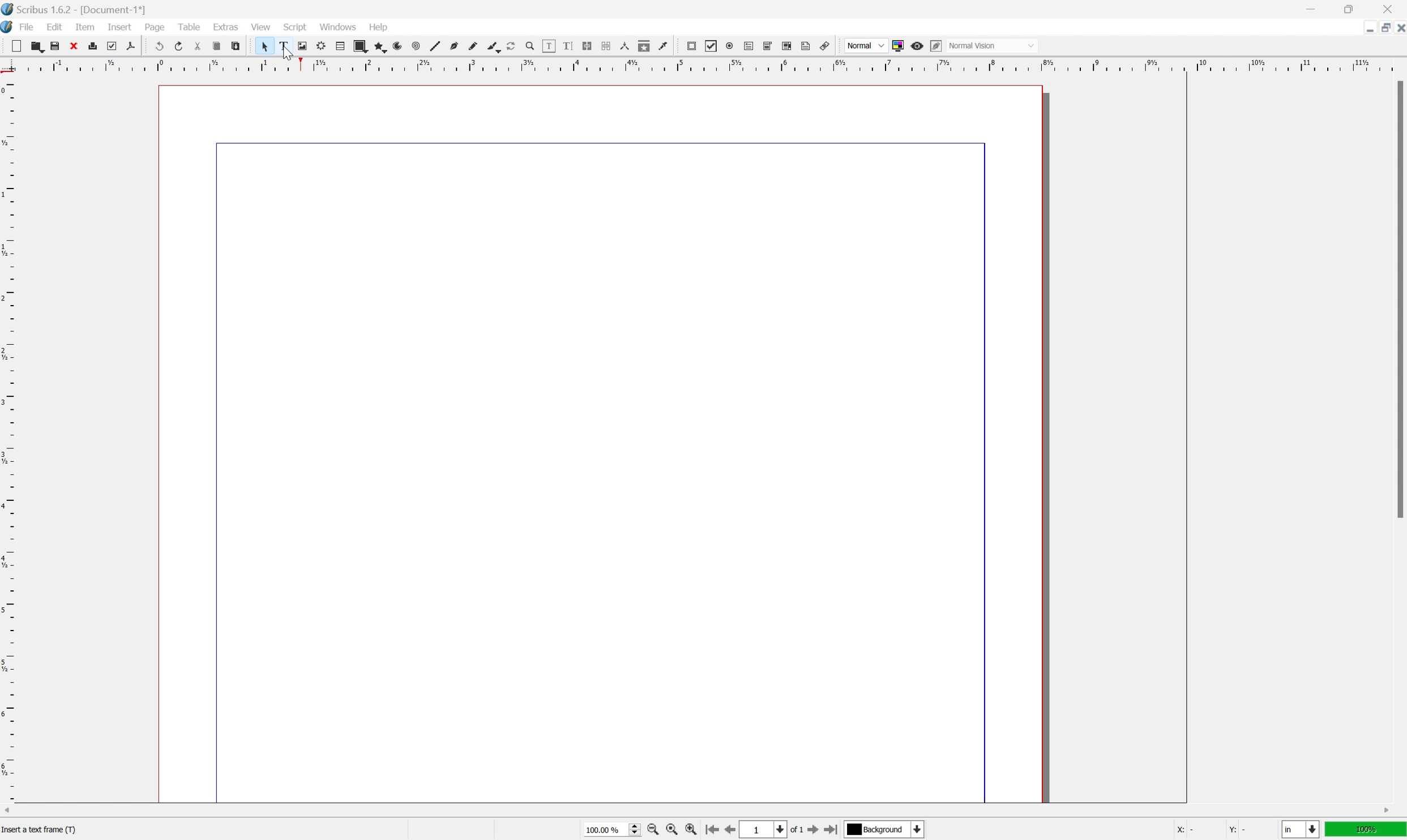  I want to click on print, so click(93, 45).